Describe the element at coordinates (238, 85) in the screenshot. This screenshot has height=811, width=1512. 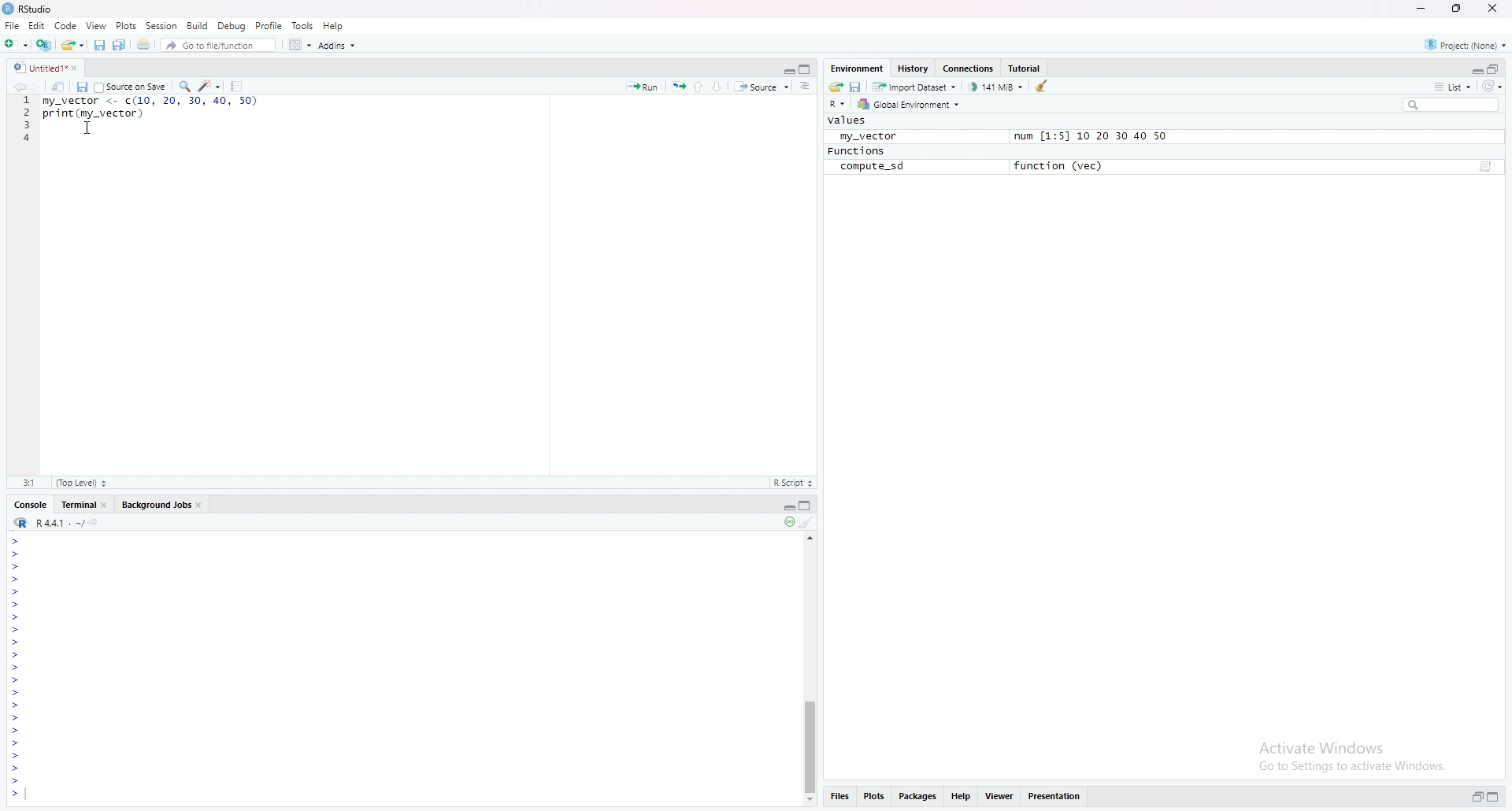
I see `Compile report (Ctrl + Shift + K)` at that location.